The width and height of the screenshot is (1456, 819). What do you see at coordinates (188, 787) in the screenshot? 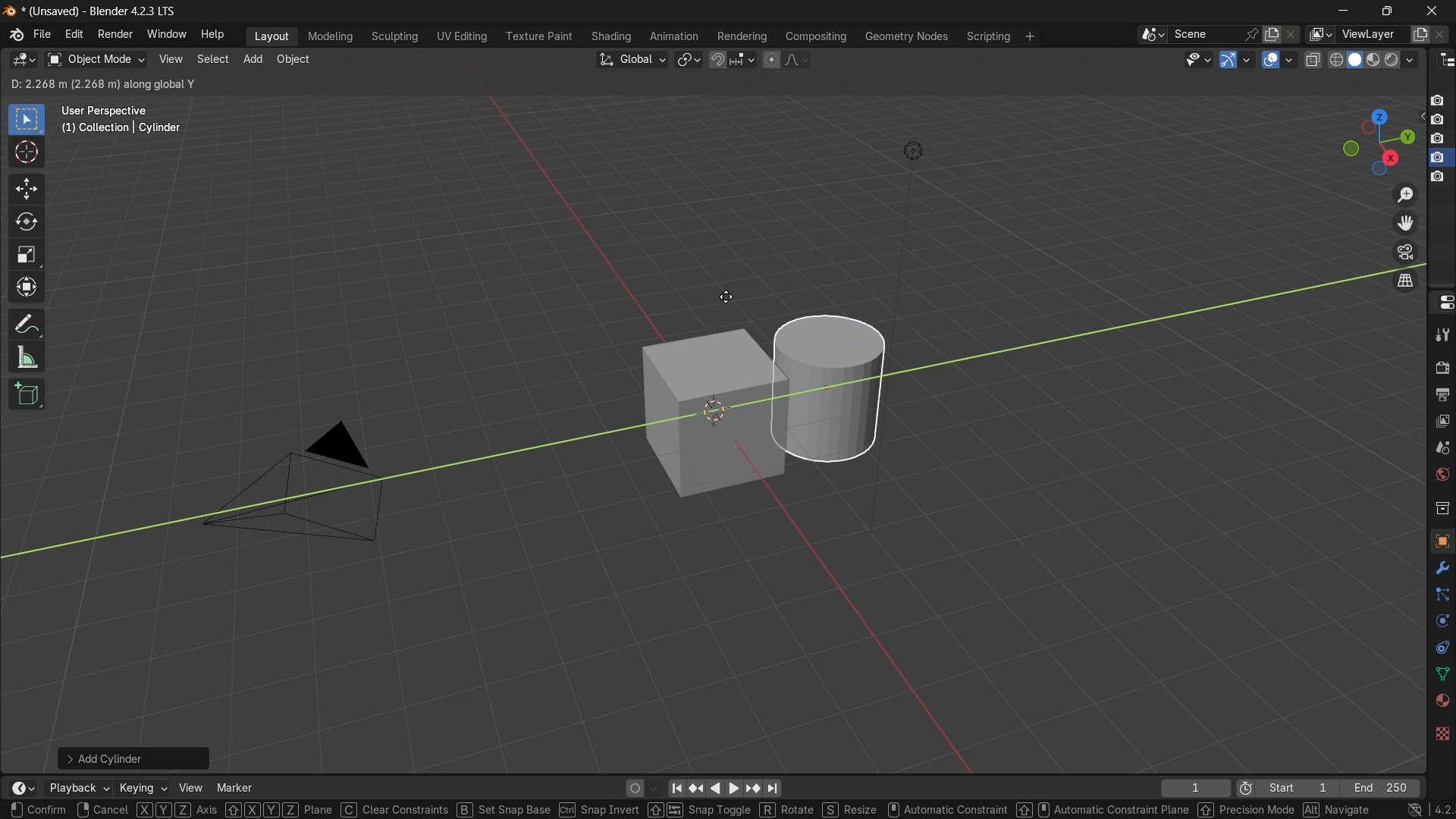
I see `view` at bounding box center [188, 787].